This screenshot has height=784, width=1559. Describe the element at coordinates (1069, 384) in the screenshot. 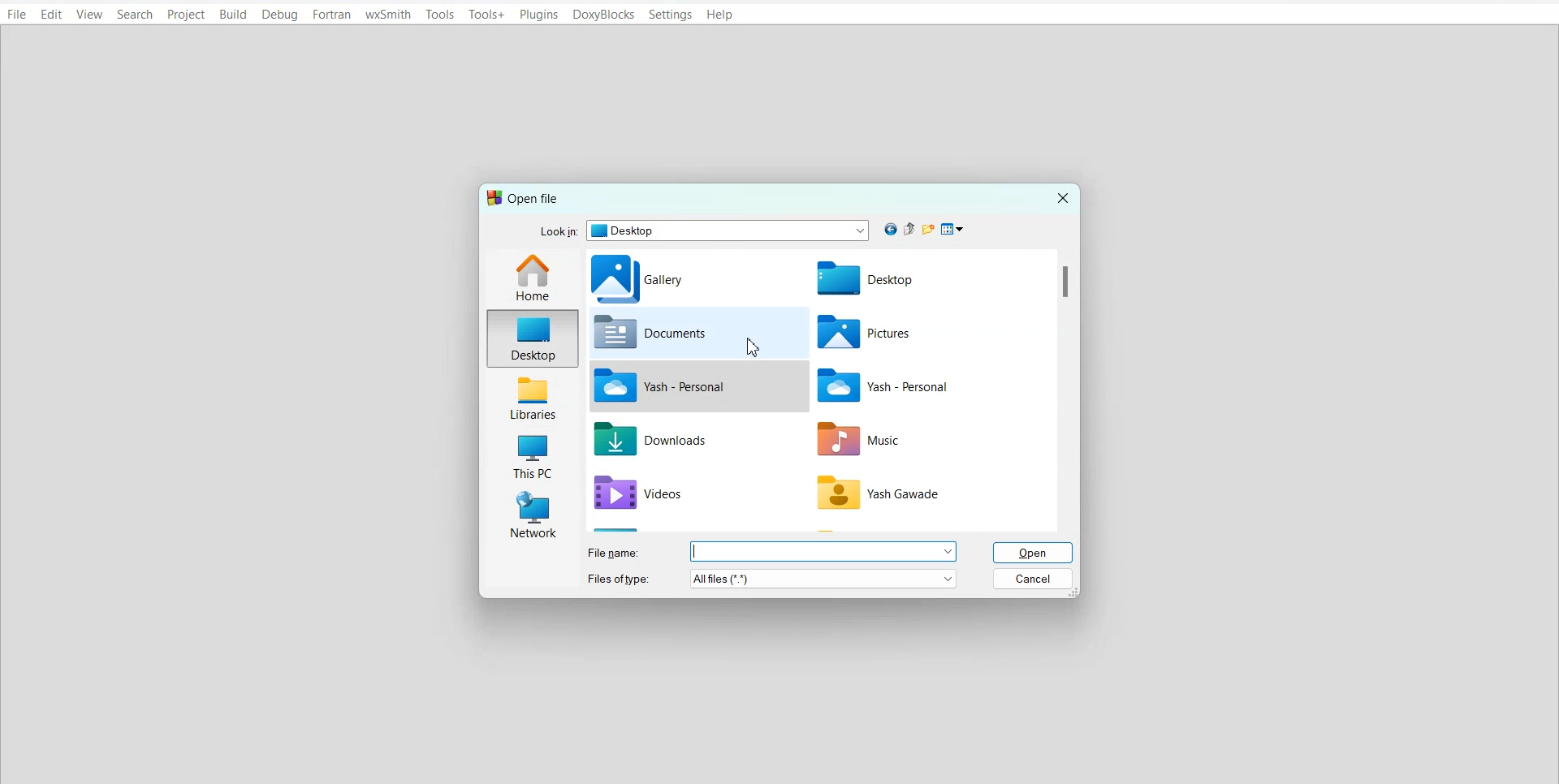

I see `Vertical scroll bar` at that location.